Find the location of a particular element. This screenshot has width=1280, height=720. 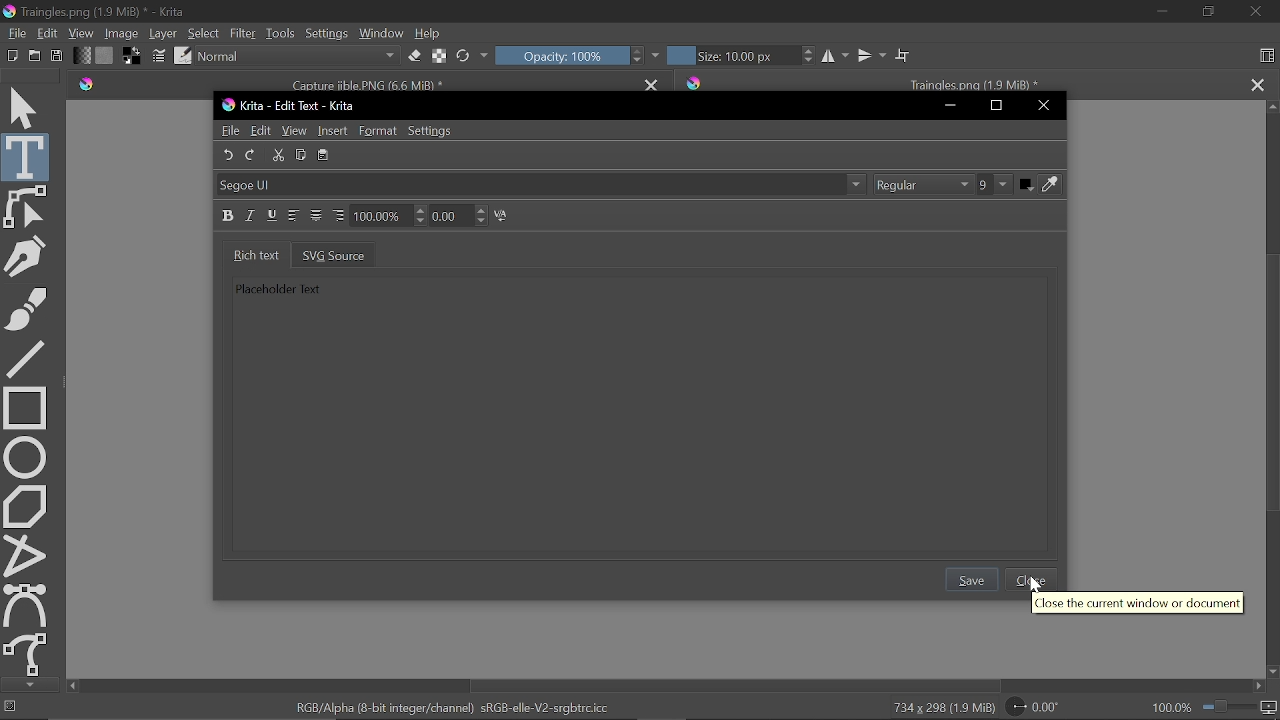

SVG Source is located at coordinates (333, 254).